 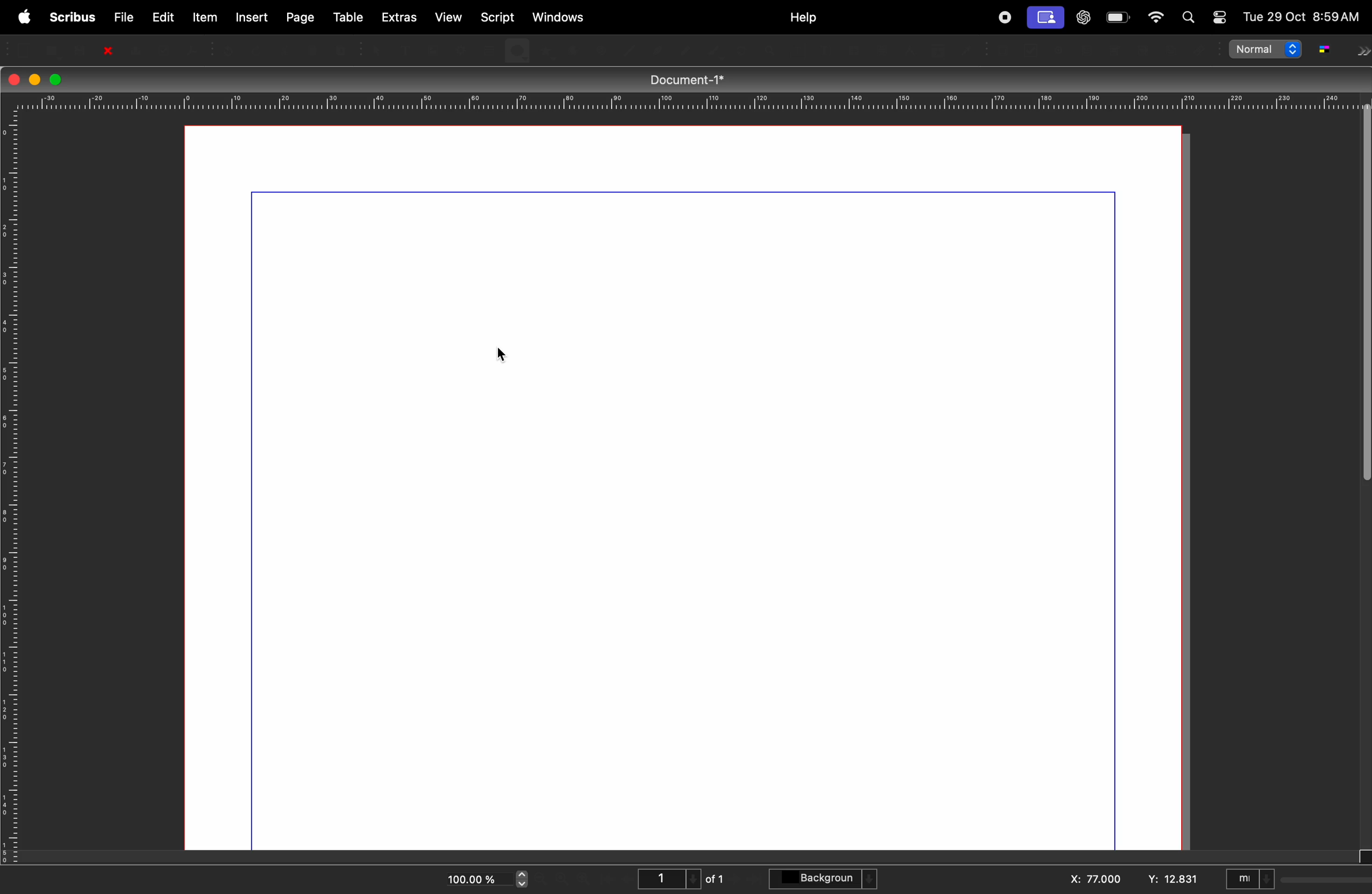 What do you see at coordinates (80, 49) in the screenshot?
I see `save` at bounding box center [80, 49].